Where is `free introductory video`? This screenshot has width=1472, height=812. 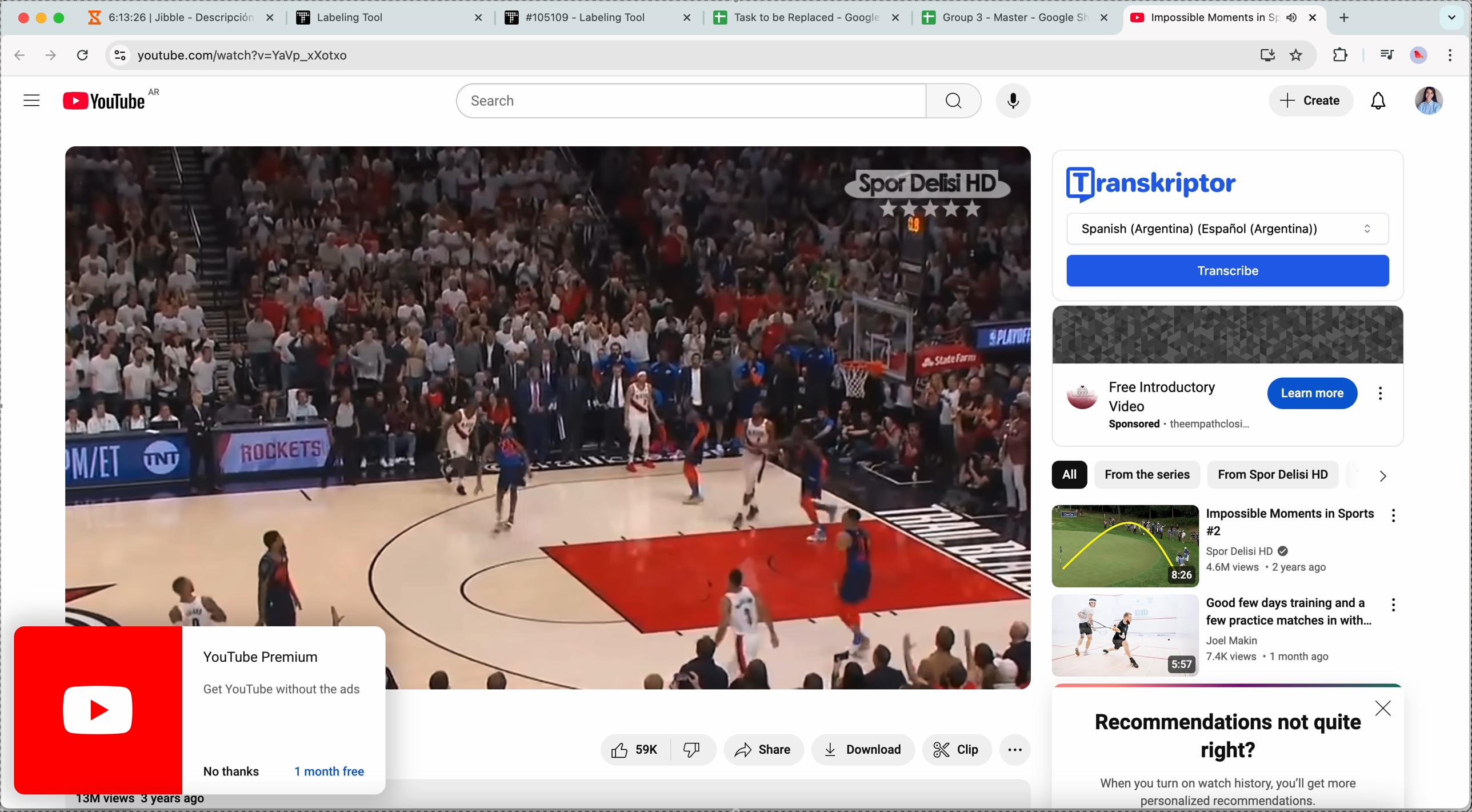
free introductory video is located at coordinates (1225, 374).